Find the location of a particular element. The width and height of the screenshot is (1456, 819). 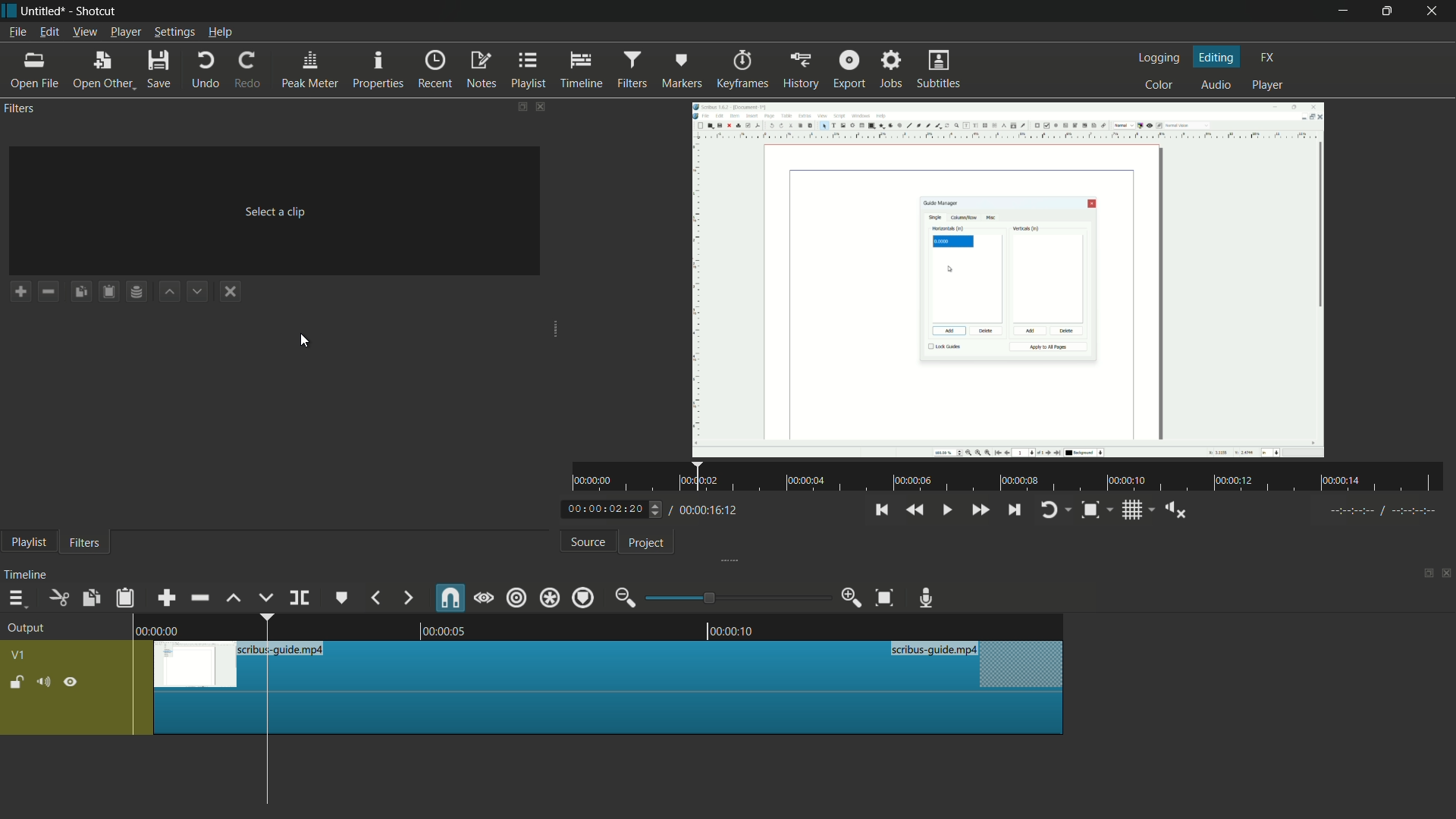

append is located at coordinates (166, 598).